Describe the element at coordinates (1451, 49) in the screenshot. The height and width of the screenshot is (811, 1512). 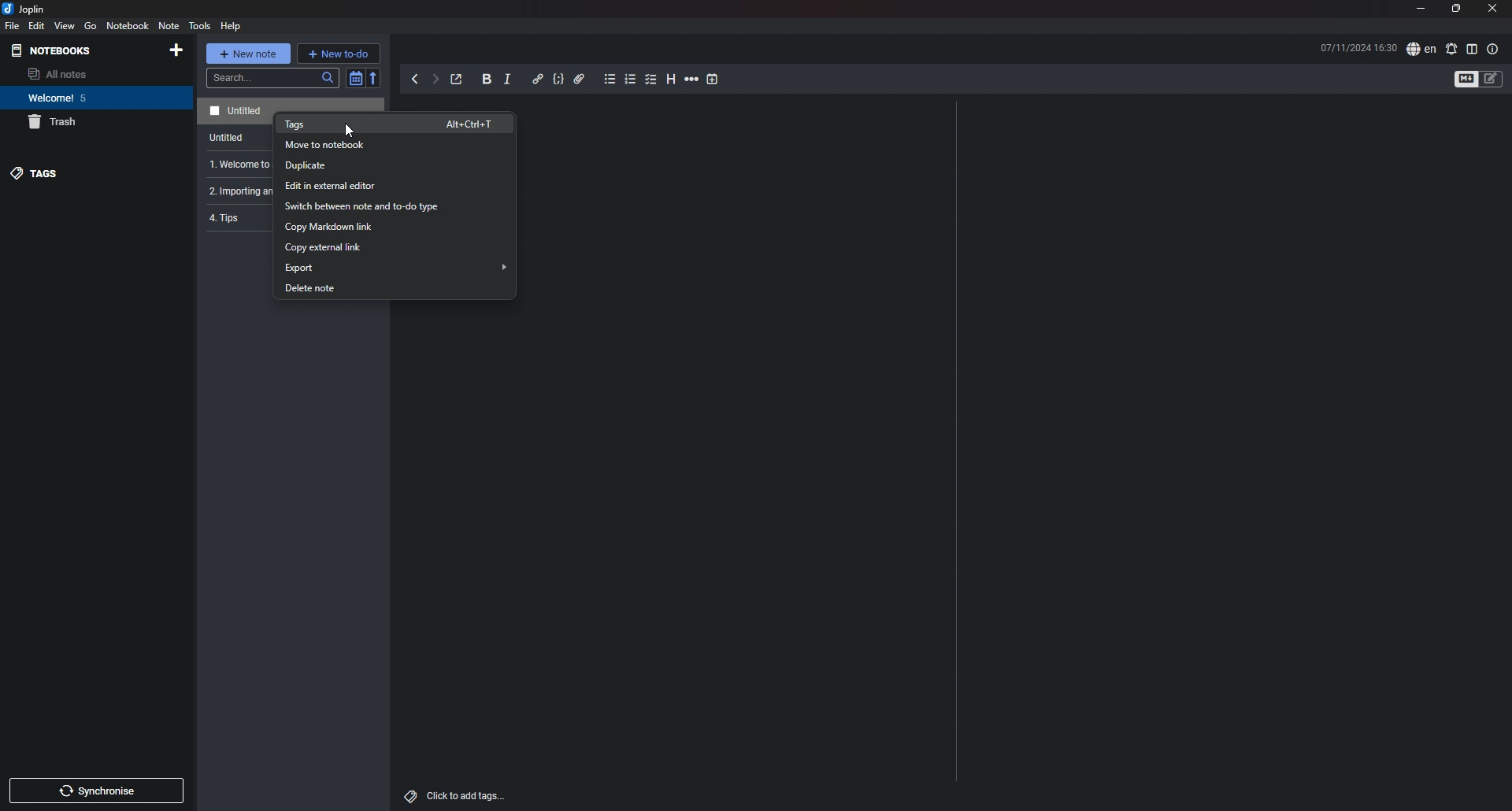
I see `spell check` at that location.